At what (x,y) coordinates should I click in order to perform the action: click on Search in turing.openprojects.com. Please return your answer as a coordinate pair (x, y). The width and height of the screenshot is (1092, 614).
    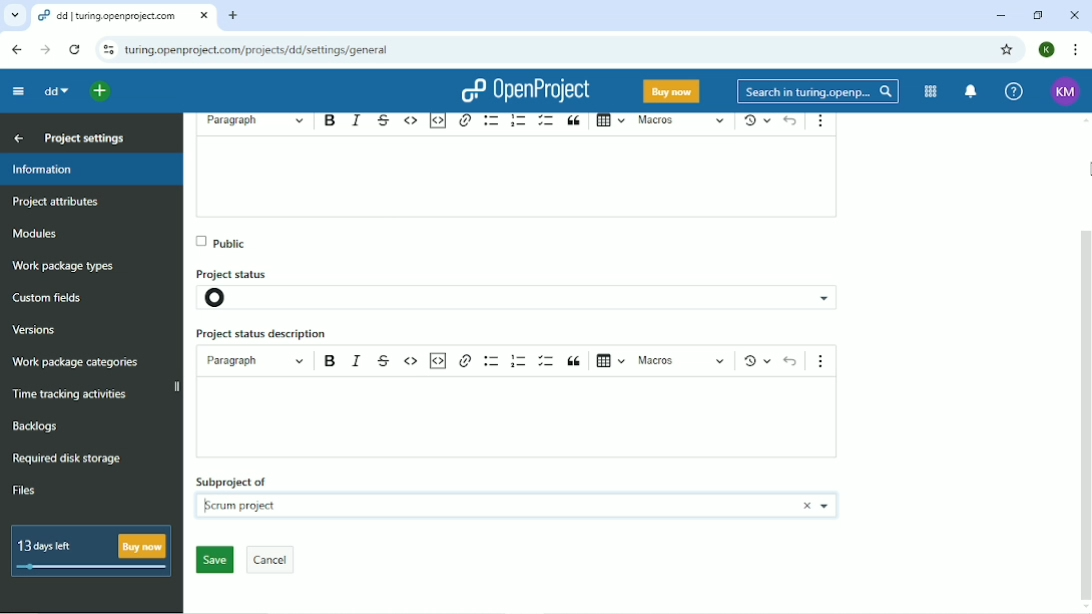
    Looking at the image, I should click on (818, 92).